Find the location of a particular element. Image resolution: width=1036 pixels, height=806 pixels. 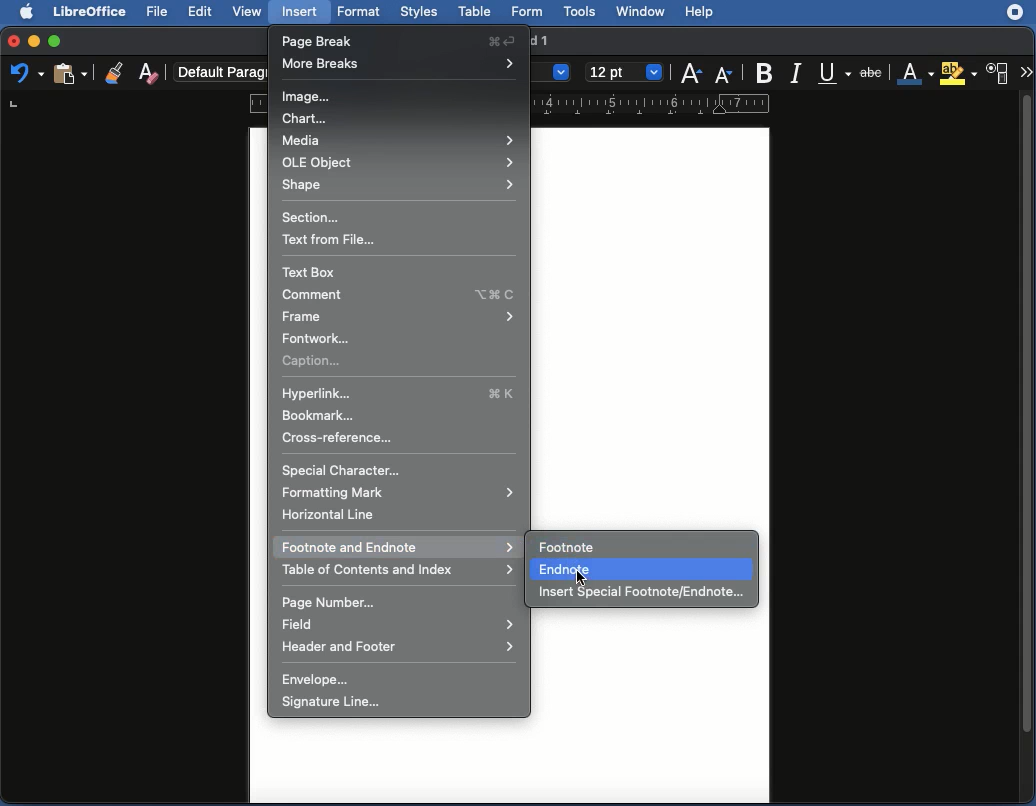

LibreOffice is located at coordinates (91, 12).